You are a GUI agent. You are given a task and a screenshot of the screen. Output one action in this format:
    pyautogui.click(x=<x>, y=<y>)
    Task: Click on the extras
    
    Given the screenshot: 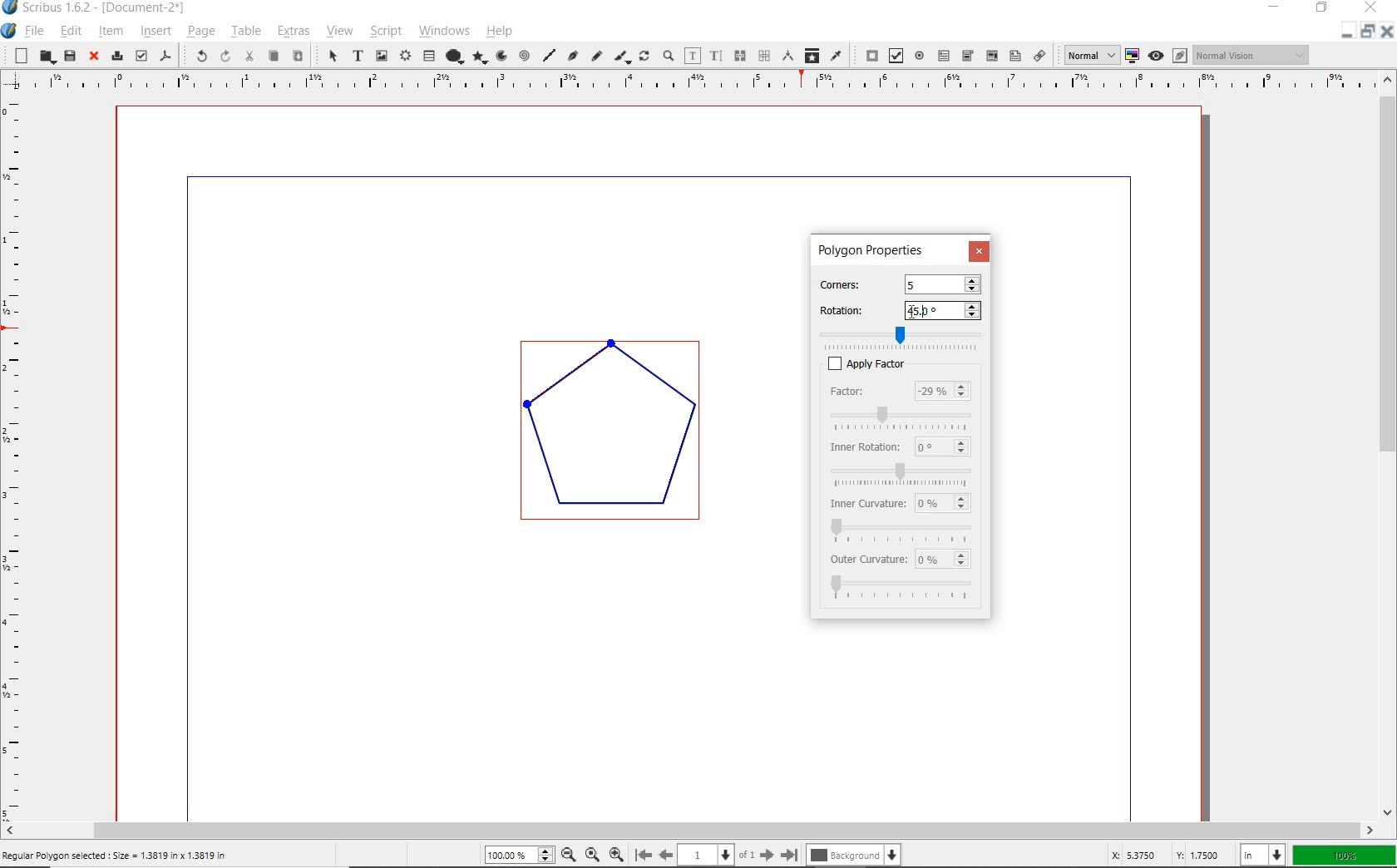 What is the action you would take?
    pyautogui.click(x=290, y=31)
    